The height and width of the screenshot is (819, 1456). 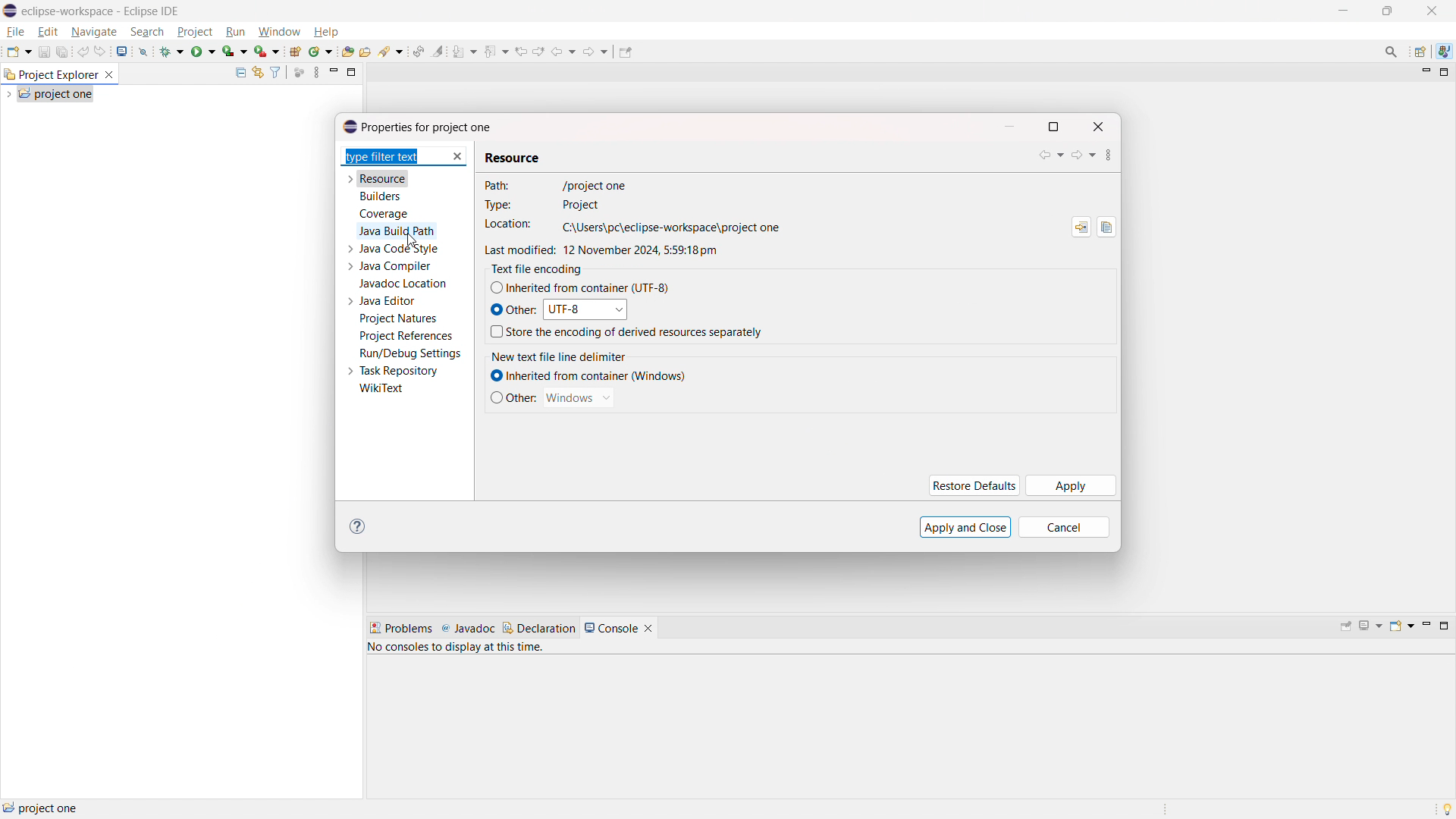 I want to click on type: project, so click(x=587, y=205).